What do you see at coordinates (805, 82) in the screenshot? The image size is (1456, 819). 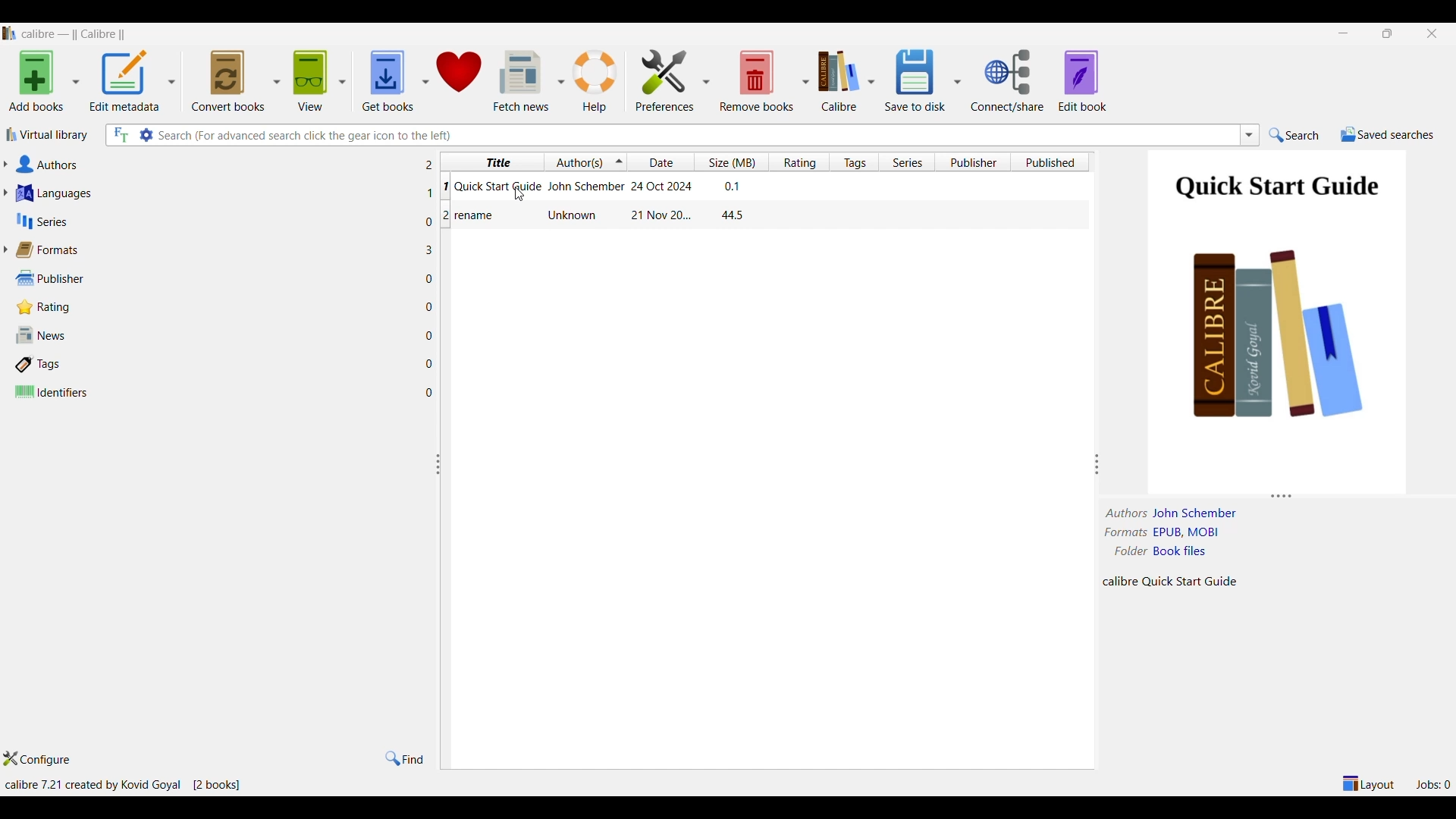 I see `Remove book options` at bounding box center [805, 82].